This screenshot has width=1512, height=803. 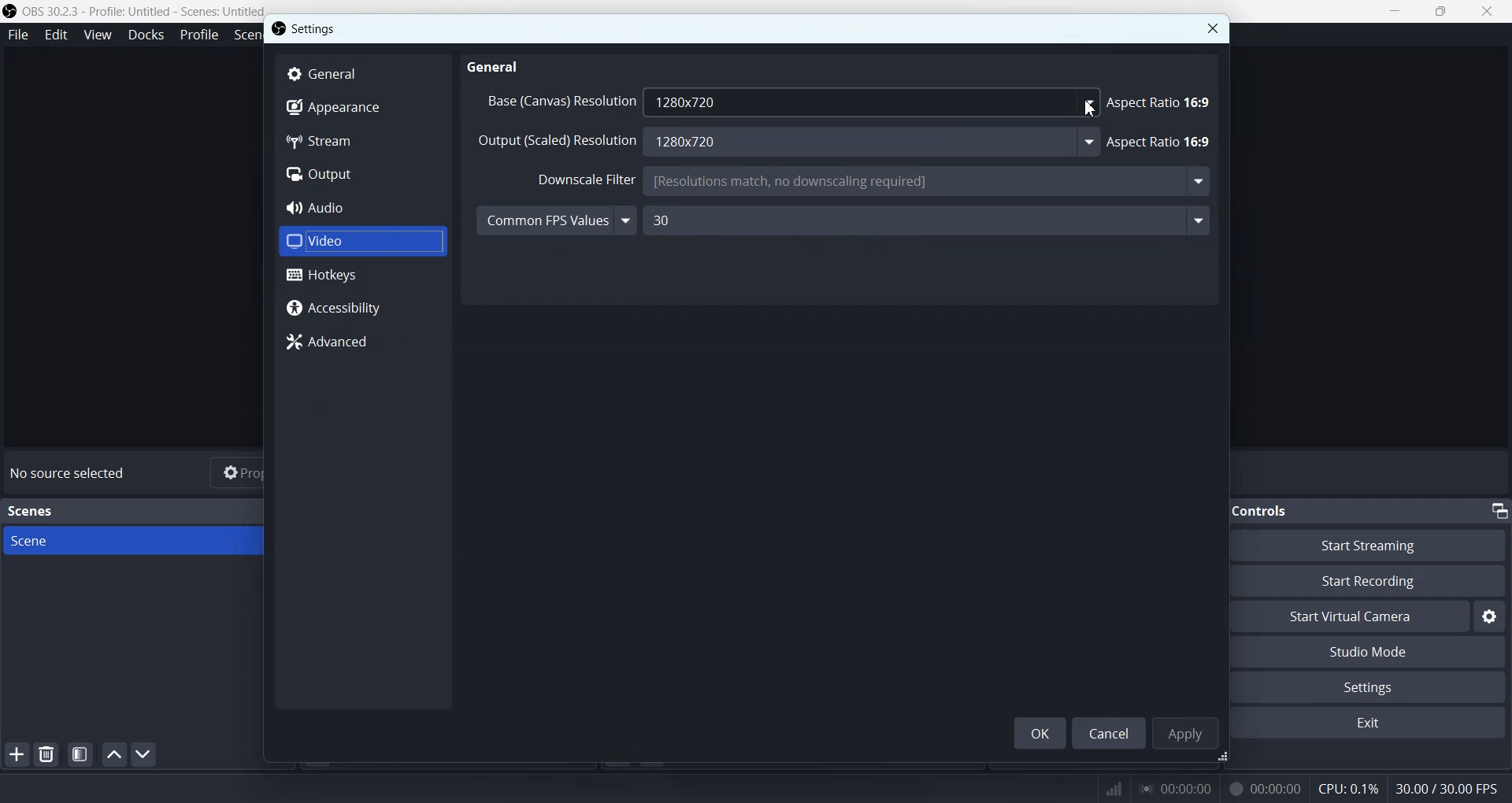 What do you see at coordinates (362, 309) in the screenshot?
I see `Accessibility` at bounding box center [362, 309].